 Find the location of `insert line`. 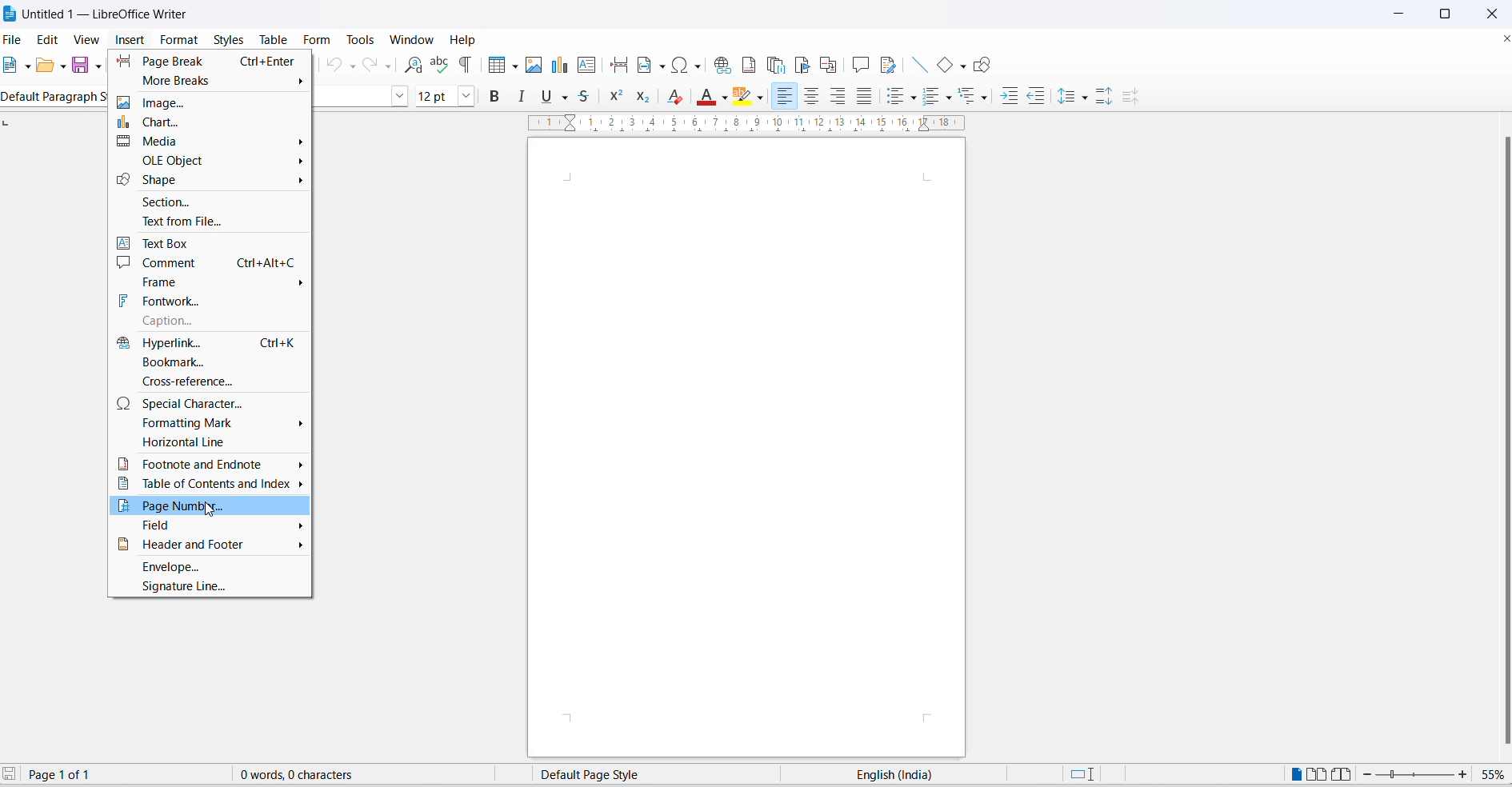

insert line is located at coordinates (919, 63).